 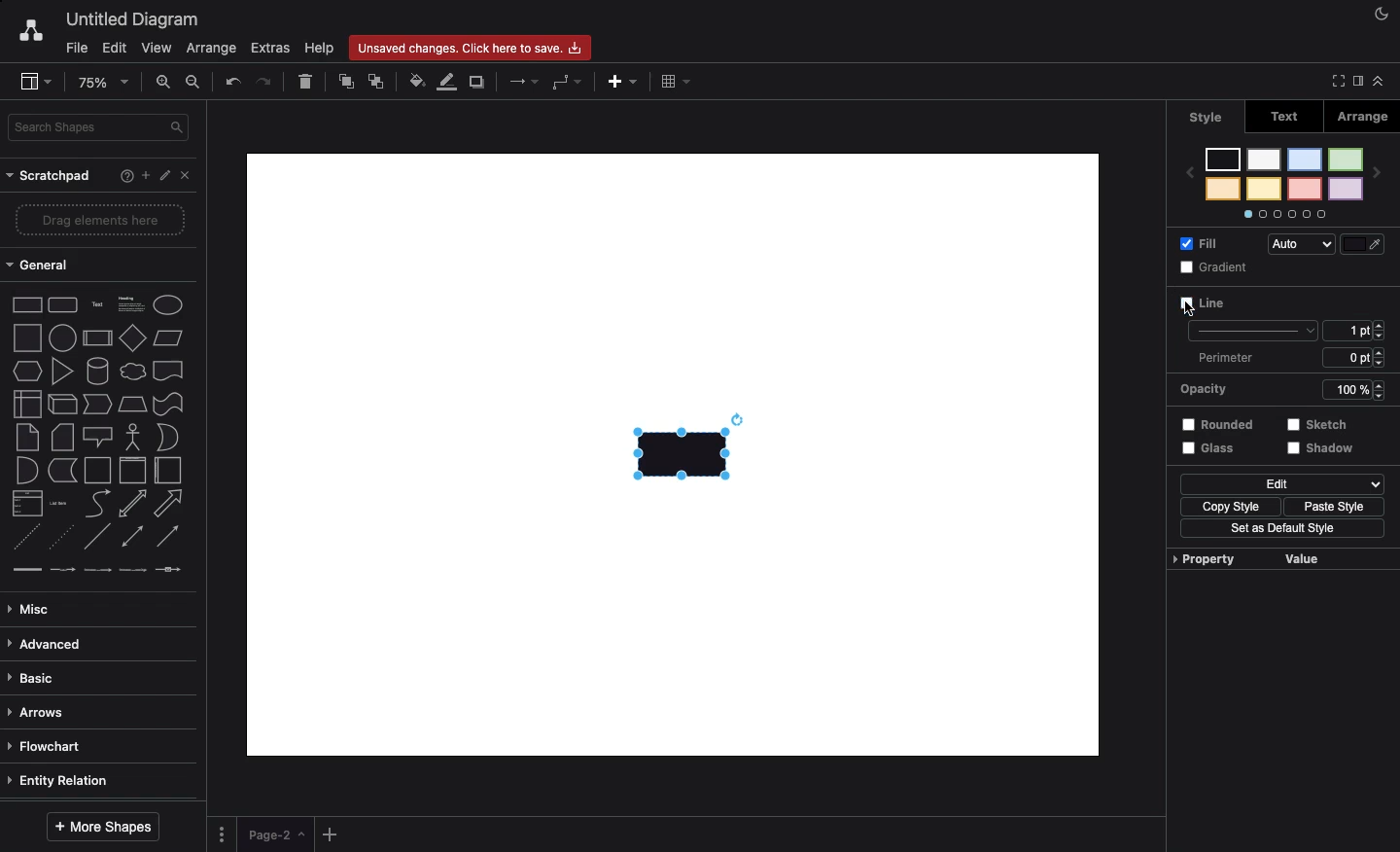 I want to click on 6 ppt, so click(x=1359, y=360).